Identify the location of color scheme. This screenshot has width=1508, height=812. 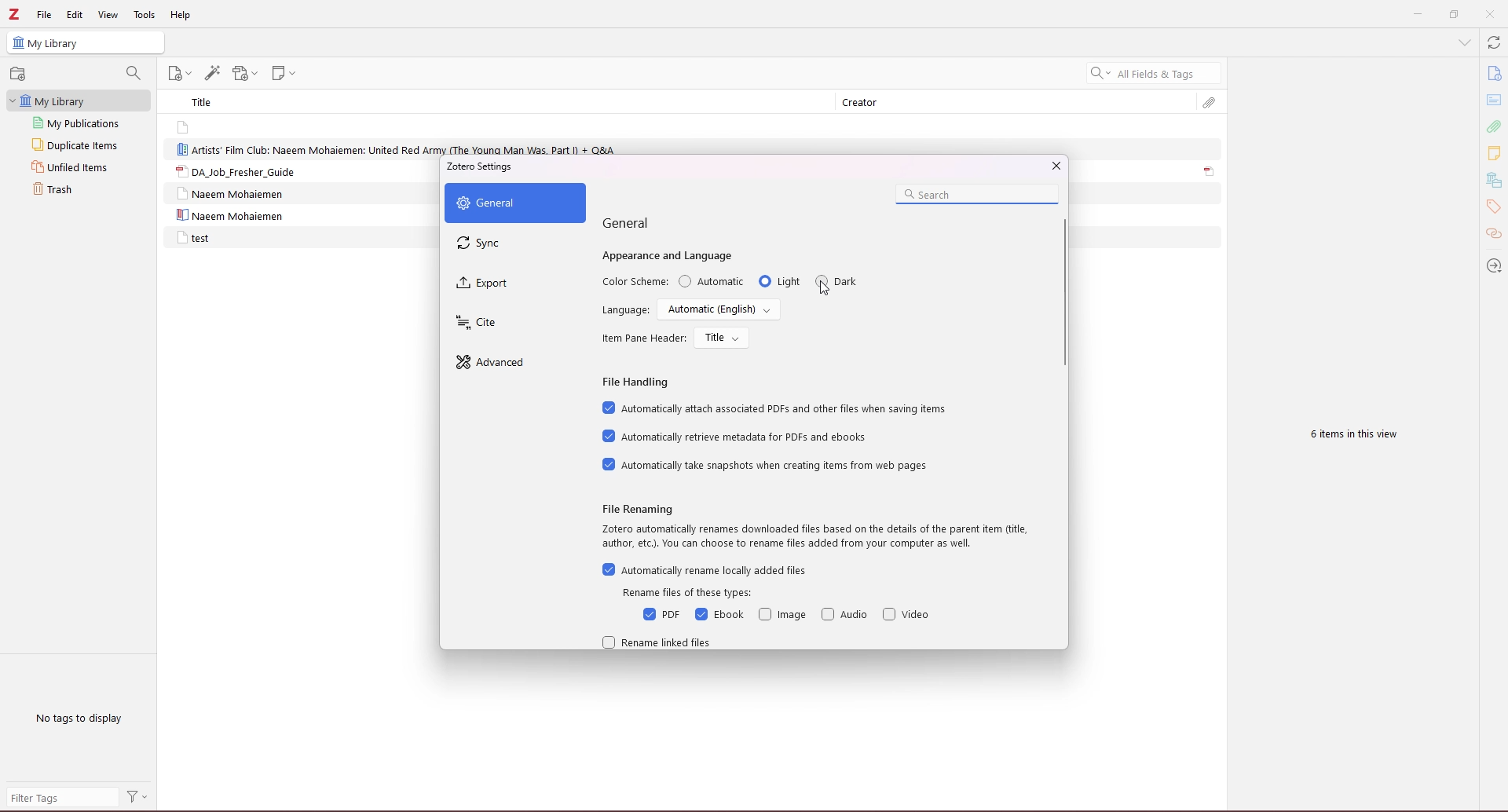
(635, 283).